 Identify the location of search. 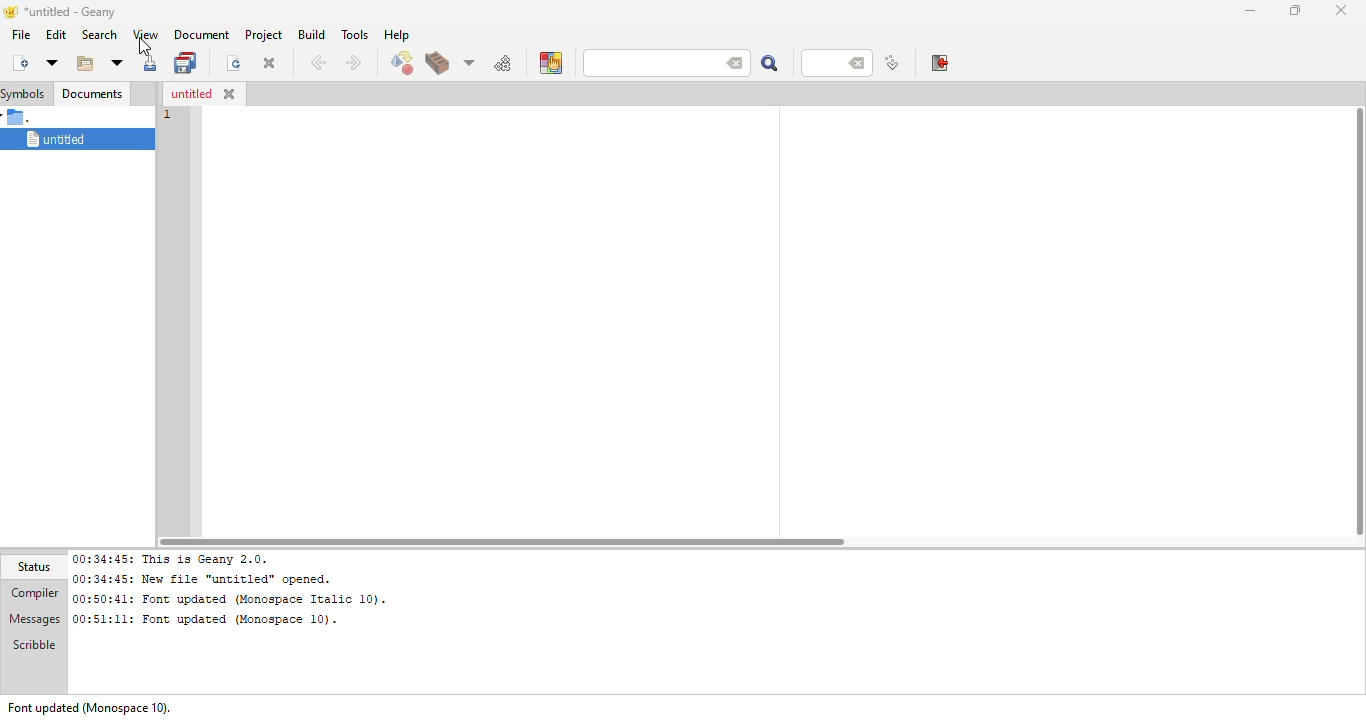
(641, 63).